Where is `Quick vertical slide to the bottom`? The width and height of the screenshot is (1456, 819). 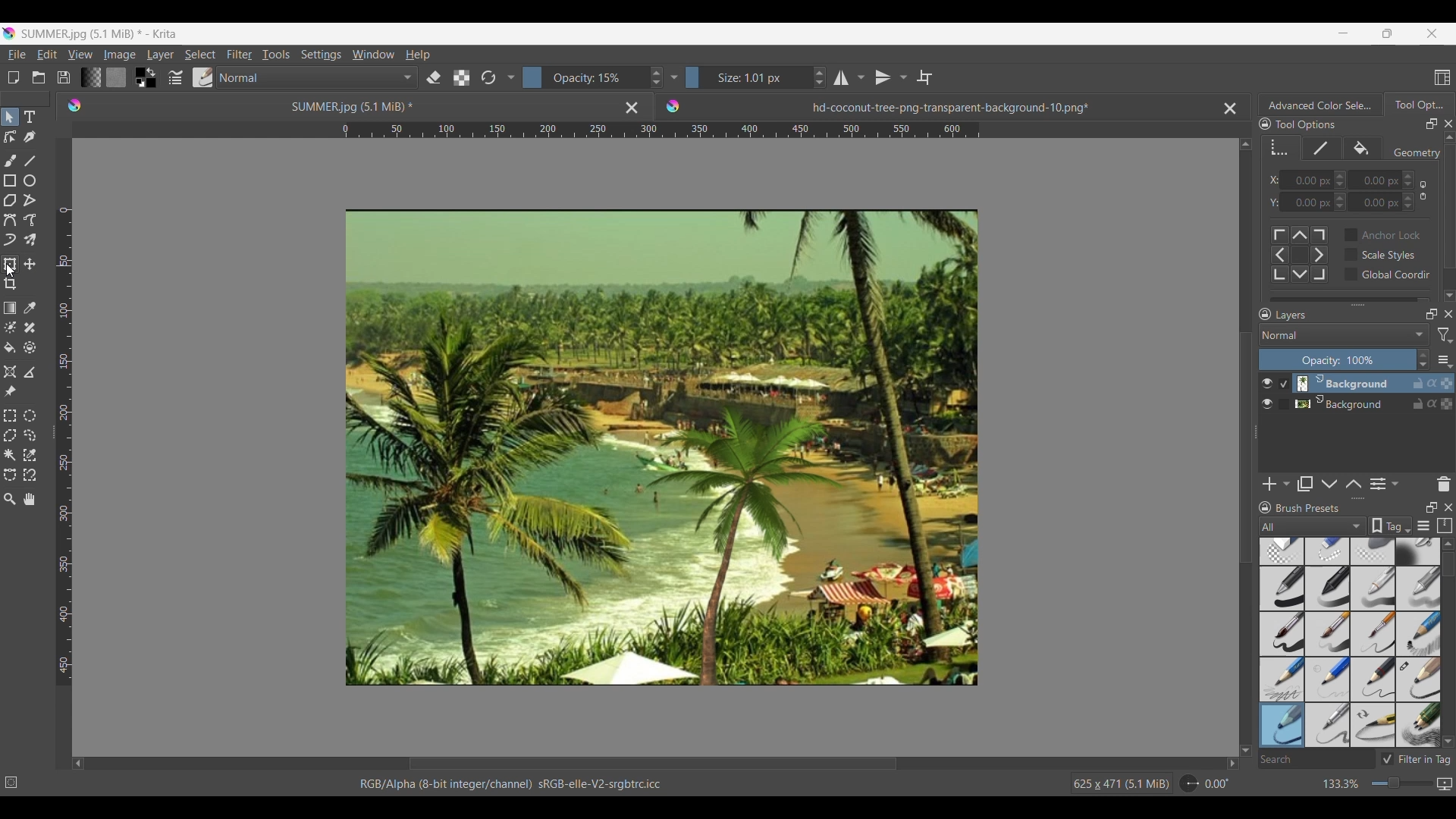
Quick vertical slide to the bottom is located at coordinates (1448, 740).